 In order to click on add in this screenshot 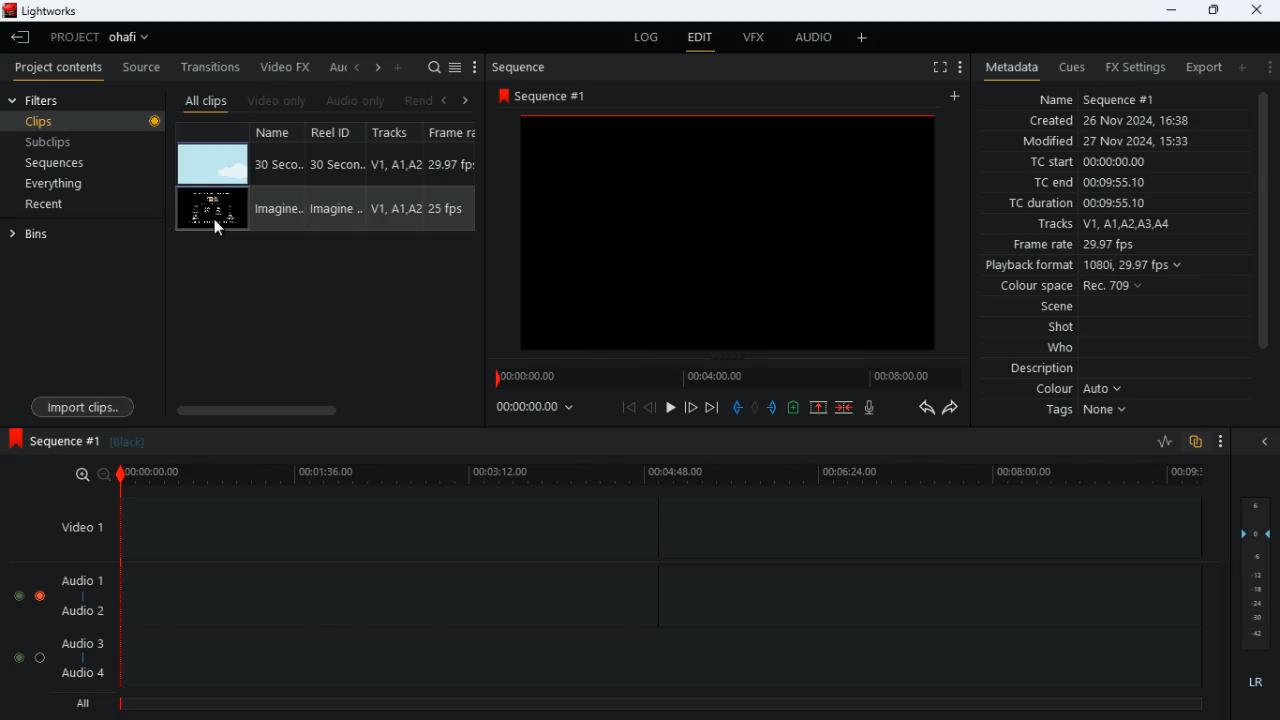, I will do `click(1247, 68)`.